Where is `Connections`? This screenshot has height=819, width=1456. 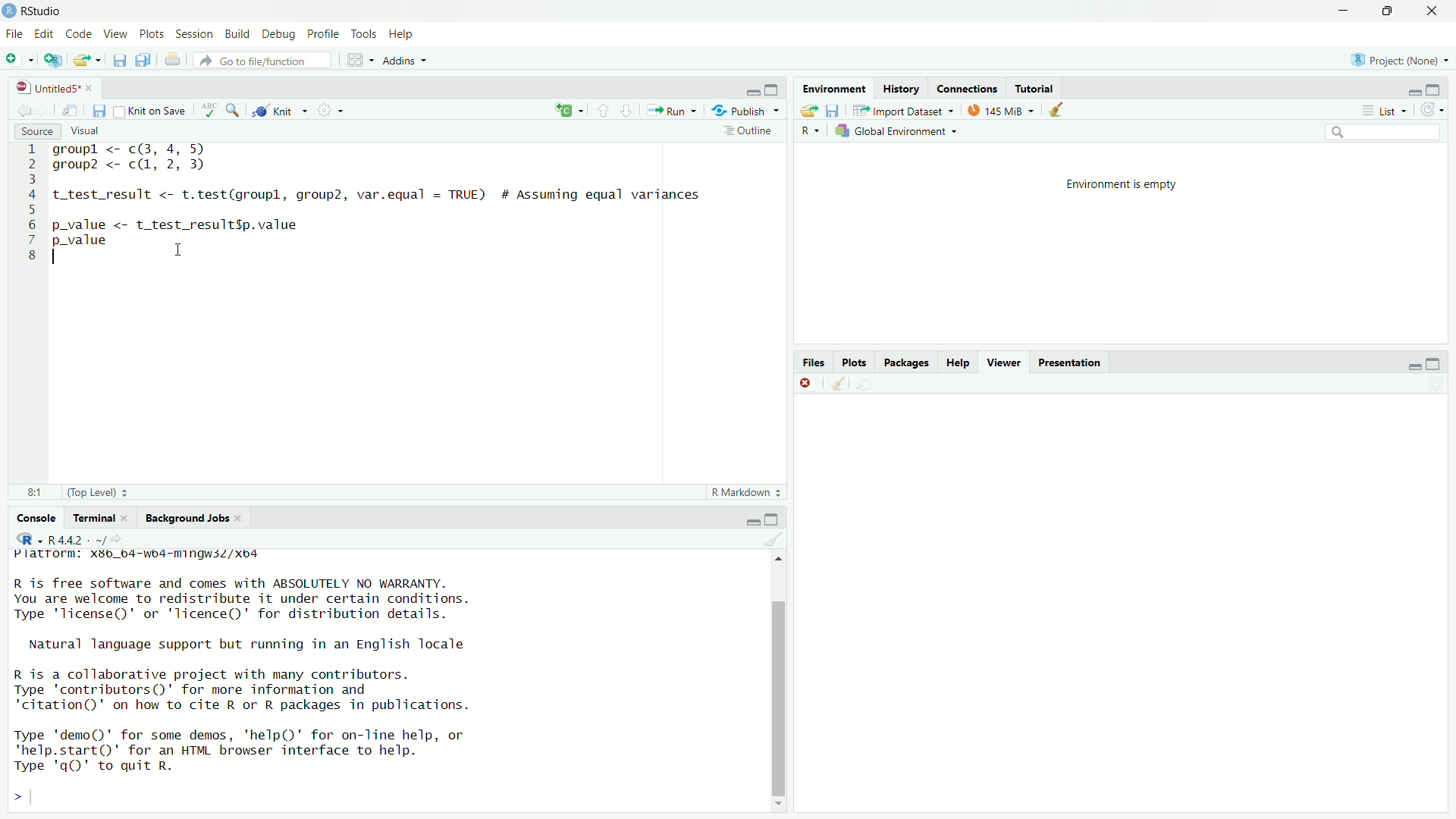
Connections is located at coordinates (967, 88).